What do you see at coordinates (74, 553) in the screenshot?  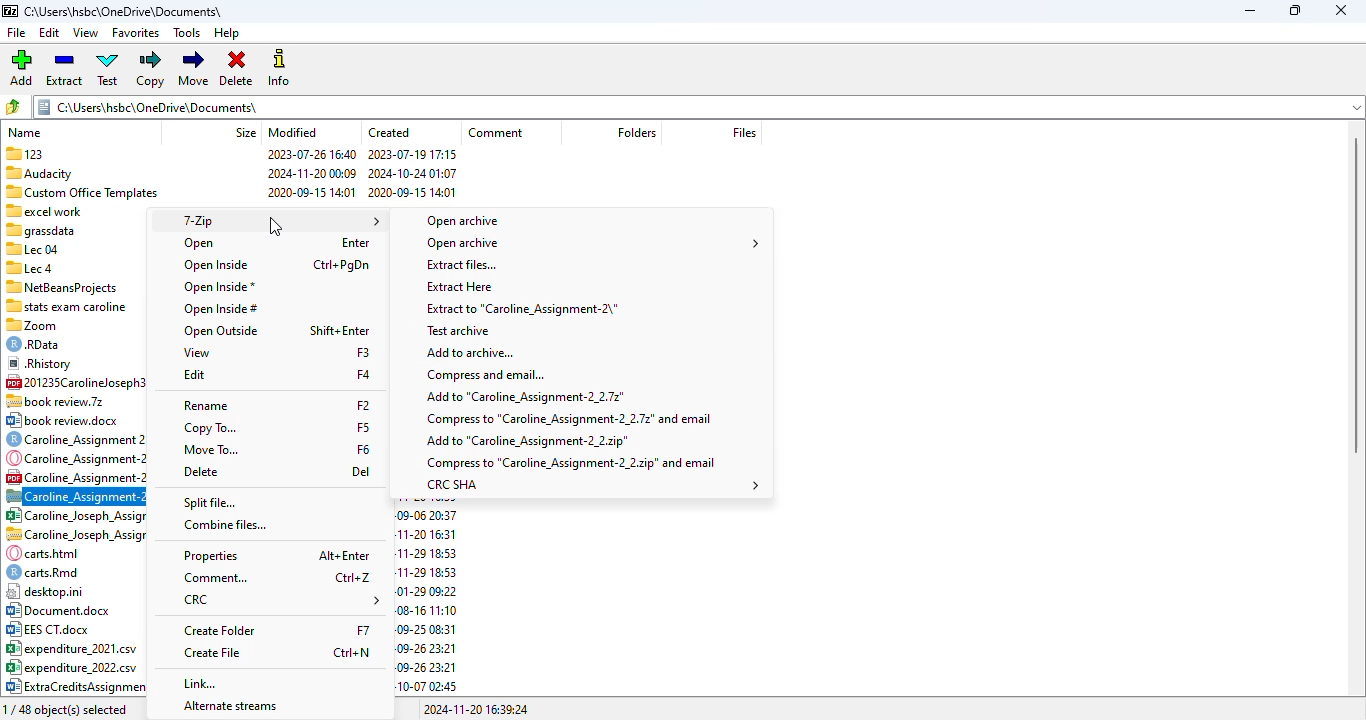 I see `carts.htm! 624921 2022-11-29 1853 2022-11-29 18:53` at bounding box center [74, 553].